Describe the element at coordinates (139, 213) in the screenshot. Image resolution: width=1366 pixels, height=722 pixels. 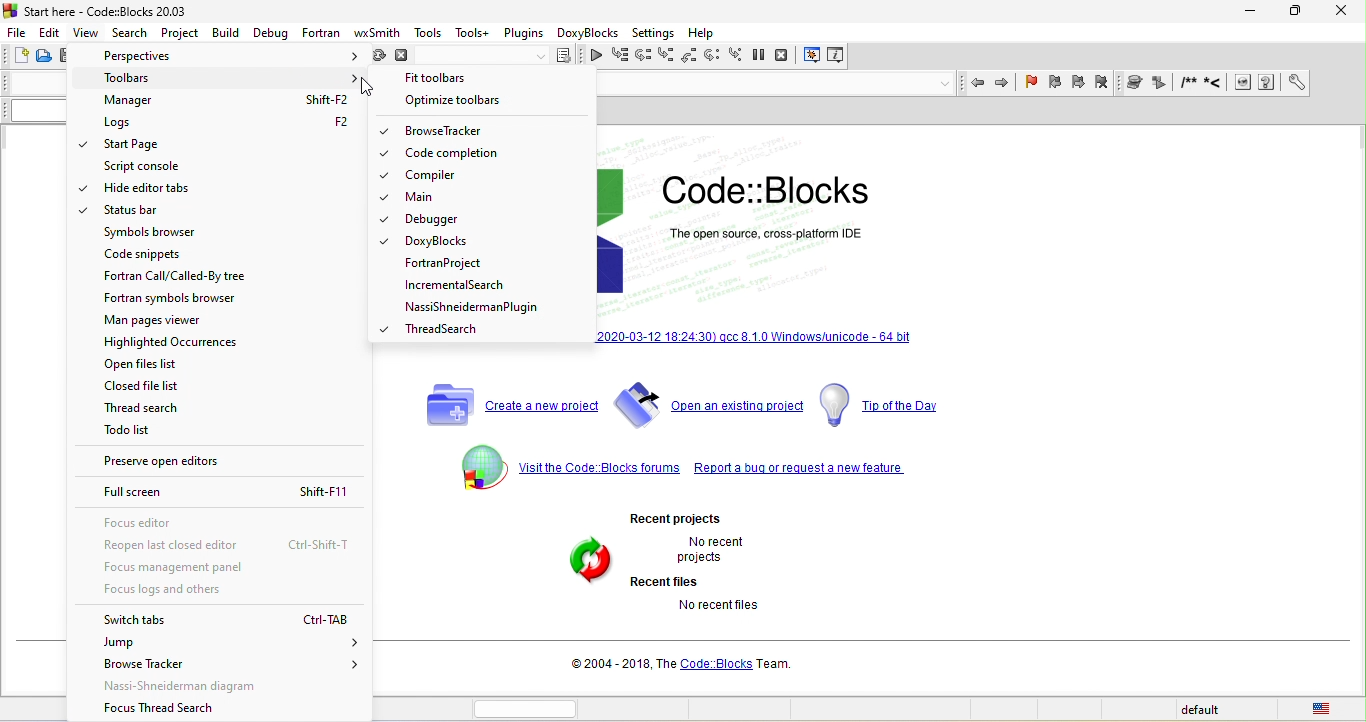
I see `status bar` at that location.